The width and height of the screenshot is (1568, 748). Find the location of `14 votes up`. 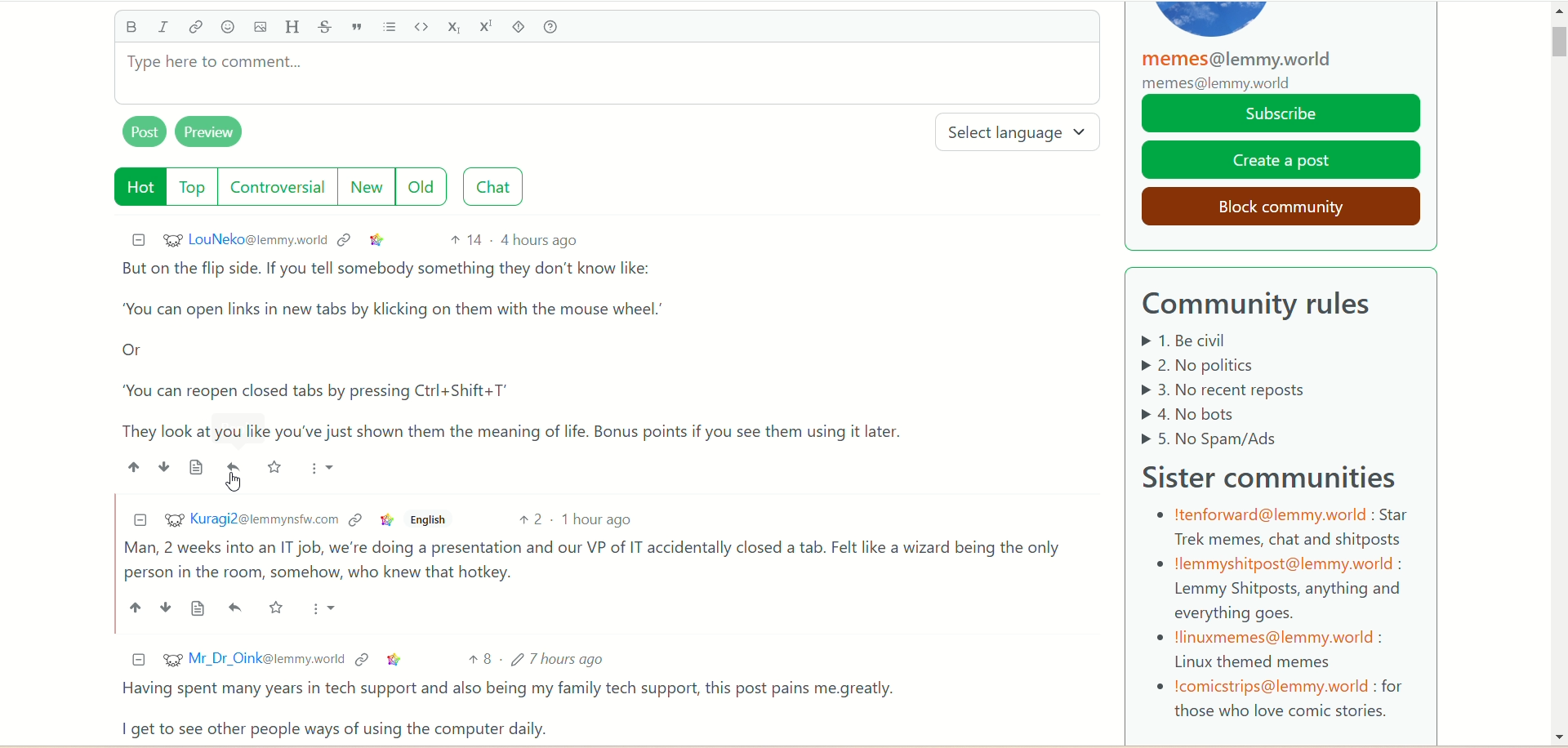

14 votes up is located at coordinates (465, 240).